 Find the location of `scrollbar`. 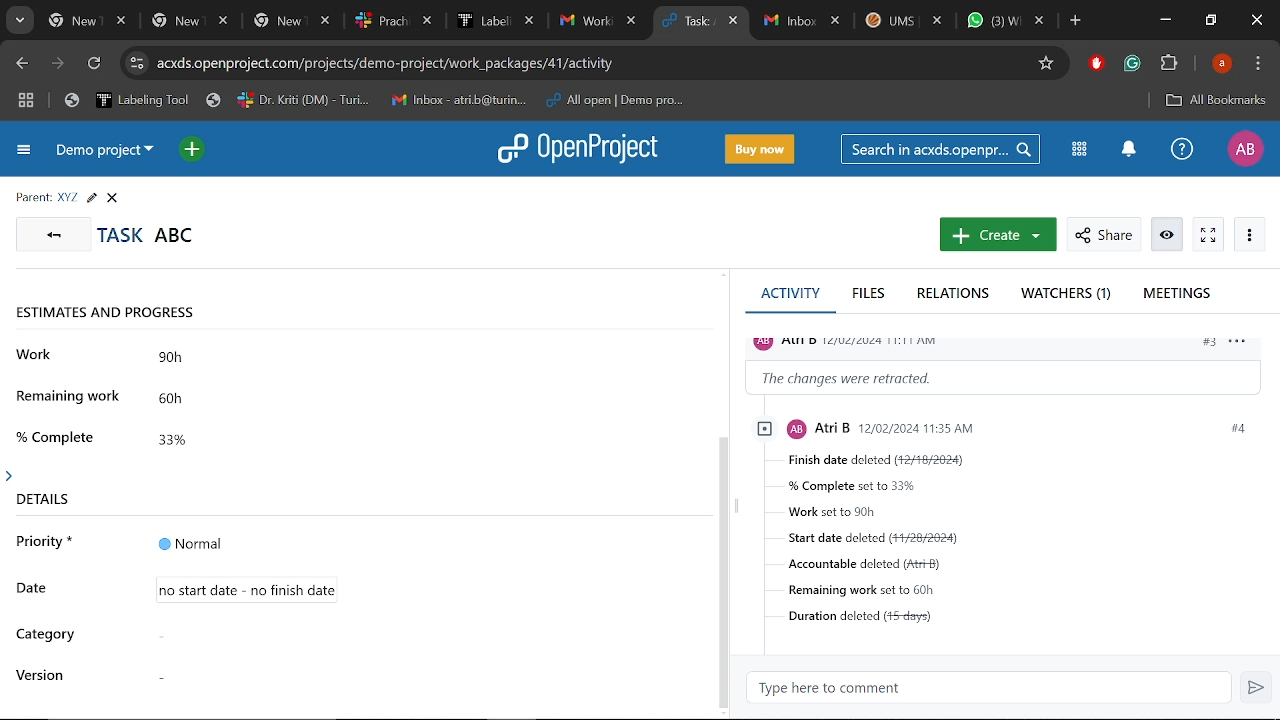

scrollbar is located at coordinates (726, 569).